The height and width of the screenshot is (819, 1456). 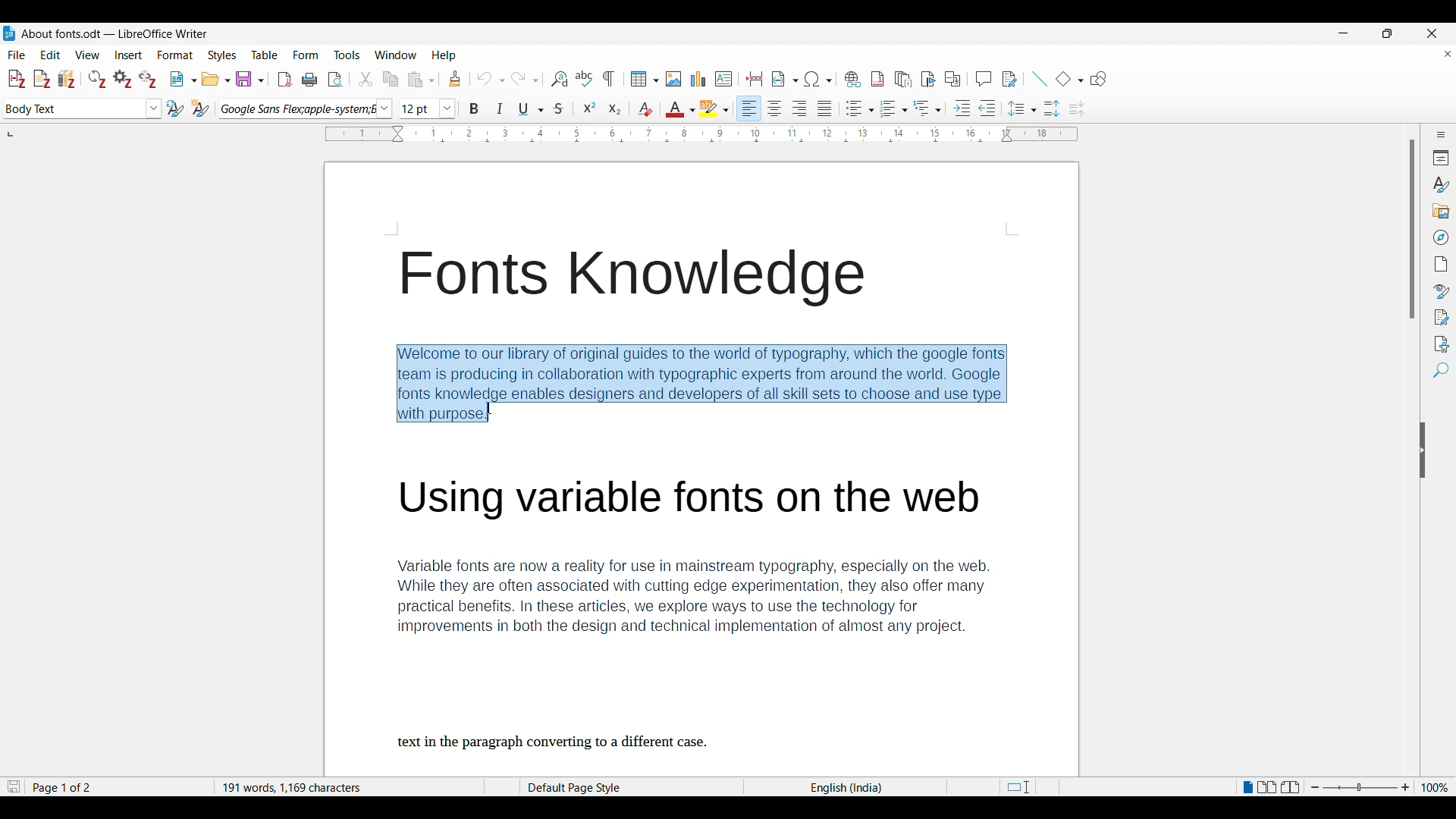 What do you see at coordinates (701, 134) in the screenshot?
I see `Horizontal scale` at bounding box center [701, 134].